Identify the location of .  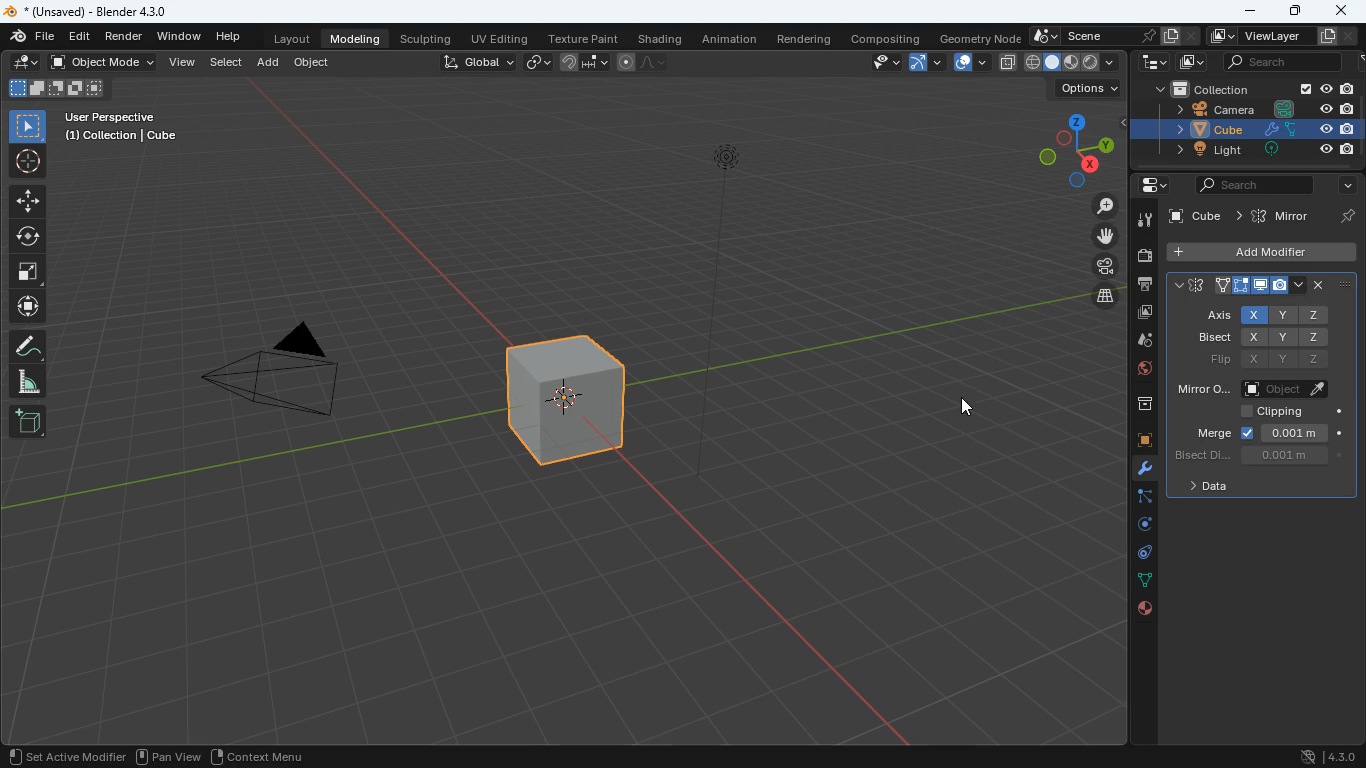
(1278, 129).